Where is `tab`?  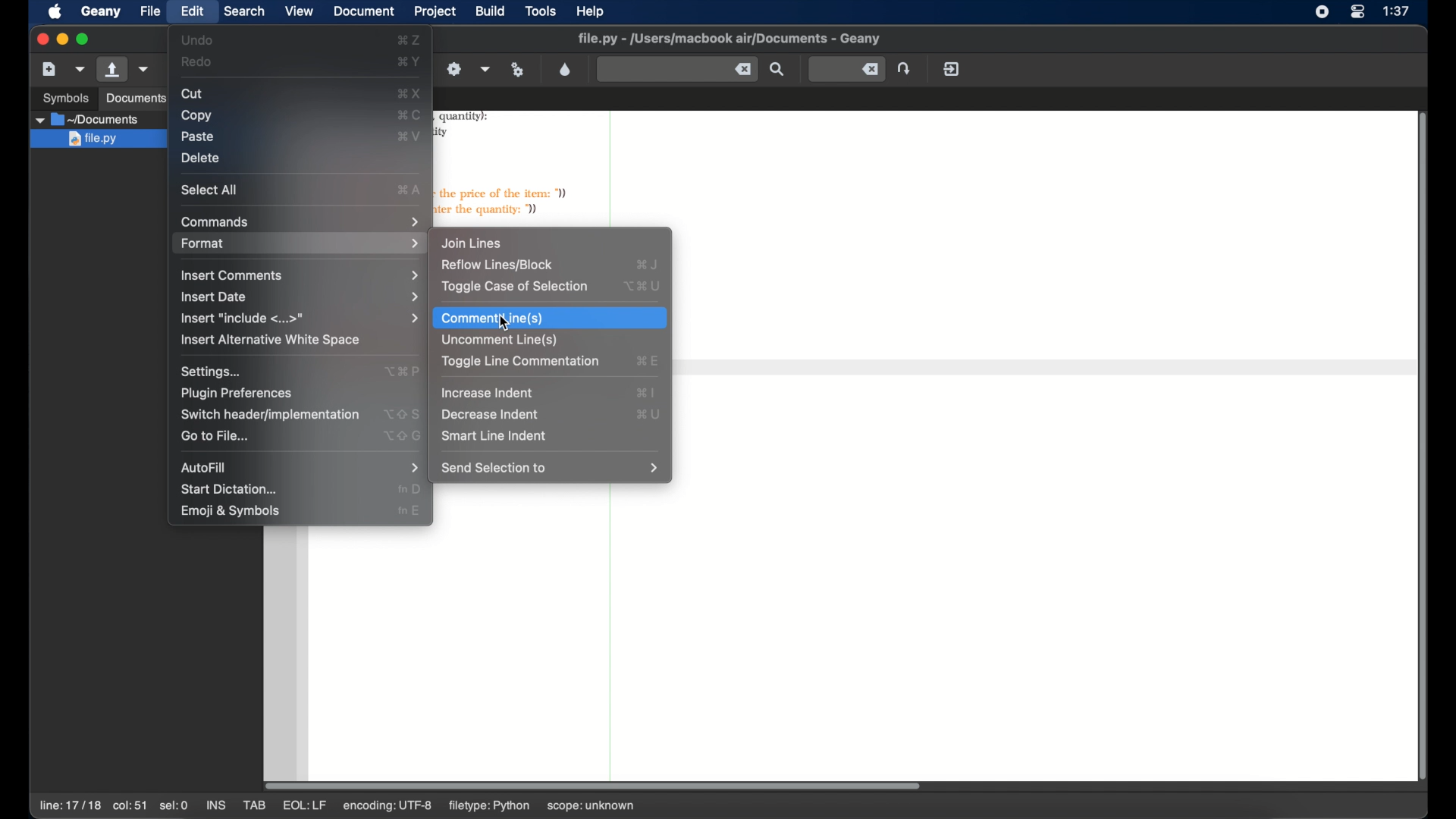 tab is located at coordinates (255, 805).